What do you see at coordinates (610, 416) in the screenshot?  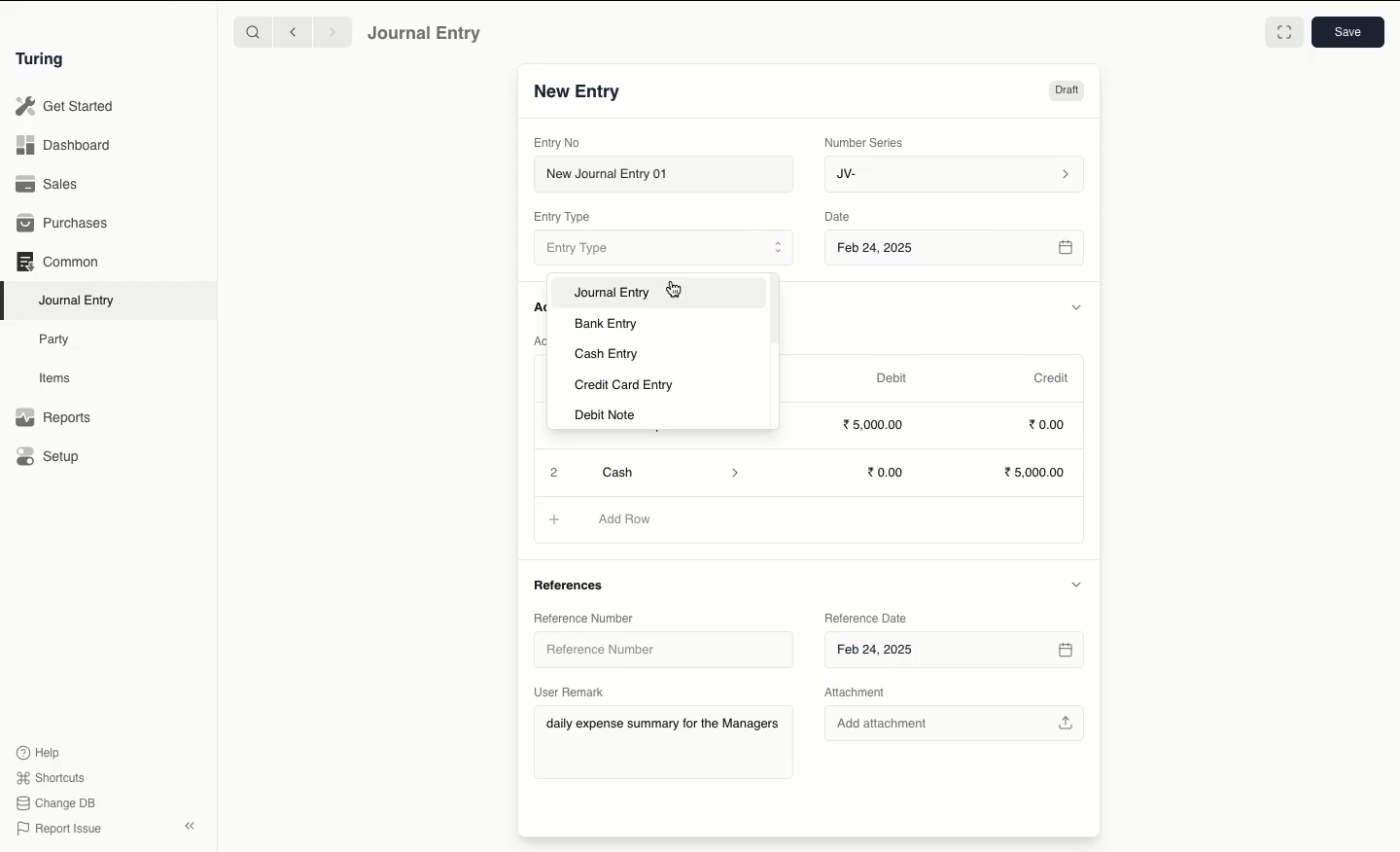 I see `Debit Note` at bounding box center [610, 416].